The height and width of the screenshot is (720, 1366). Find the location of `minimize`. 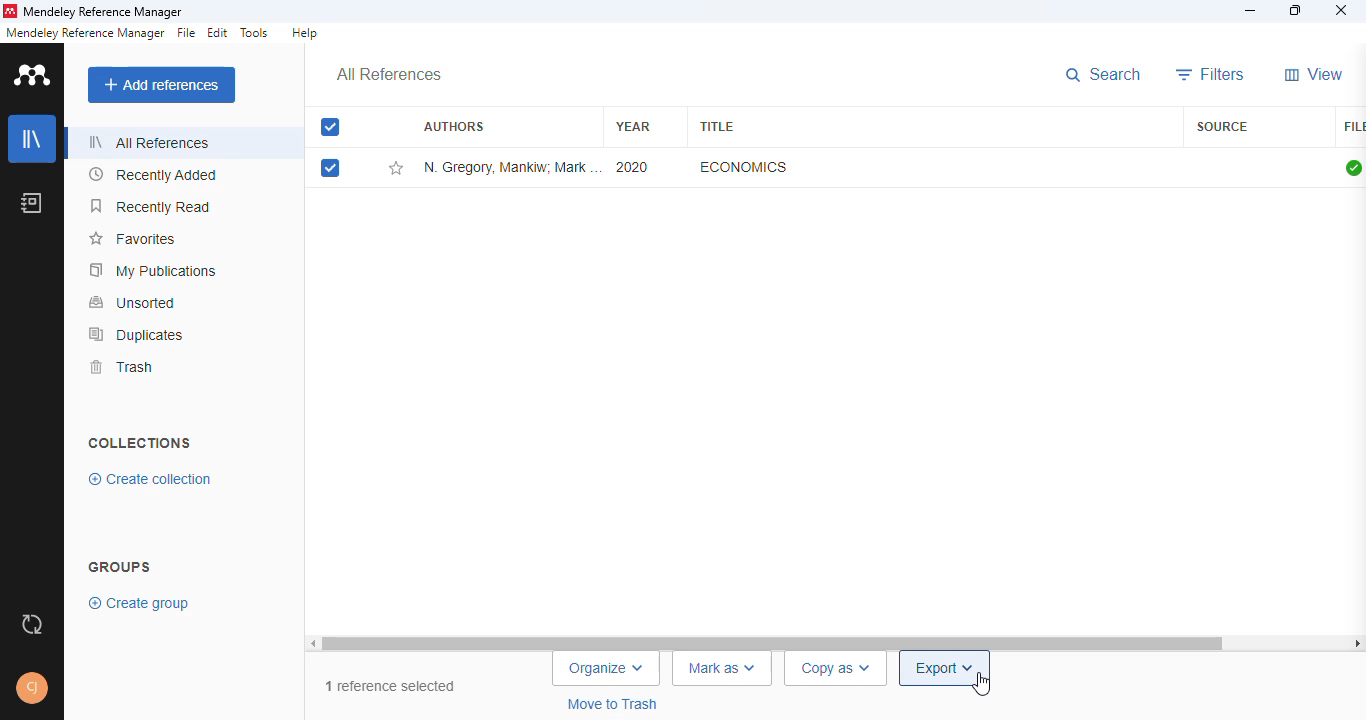

minimize is located at coordinates (1250, 11).